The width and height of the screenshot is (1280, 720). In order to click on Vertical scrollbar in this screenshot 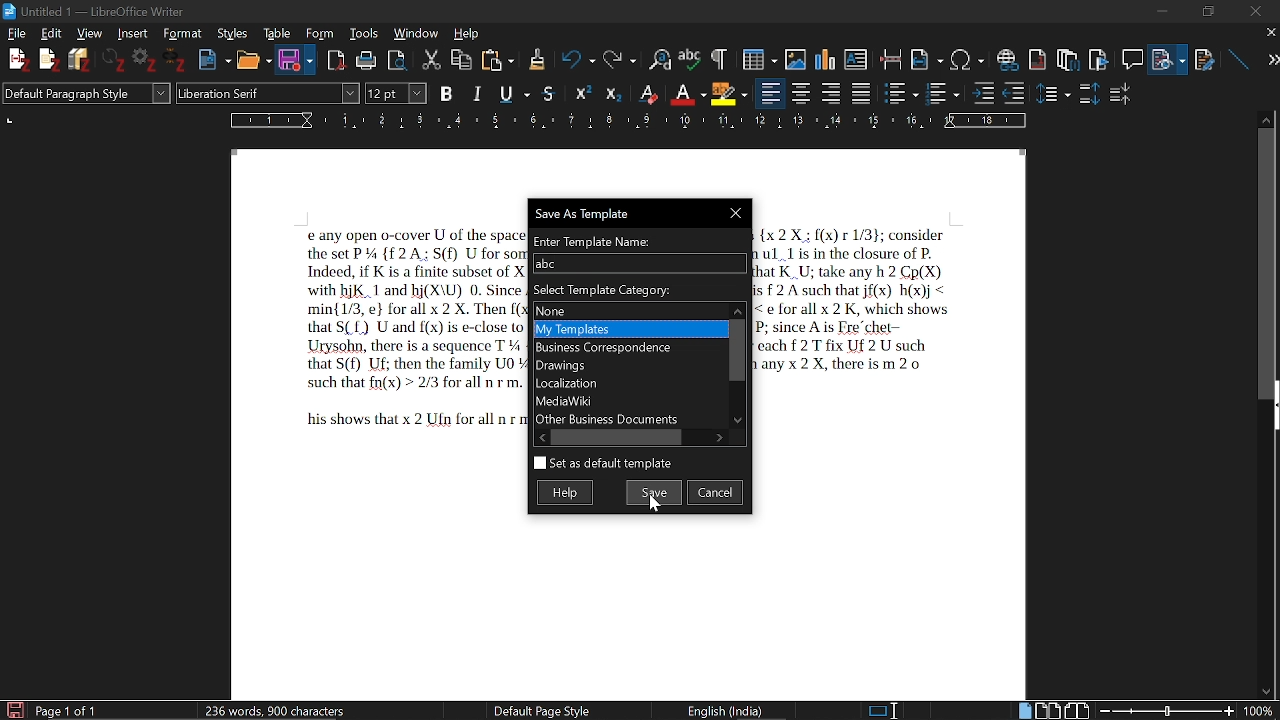, I will do `click(736, 348)`.